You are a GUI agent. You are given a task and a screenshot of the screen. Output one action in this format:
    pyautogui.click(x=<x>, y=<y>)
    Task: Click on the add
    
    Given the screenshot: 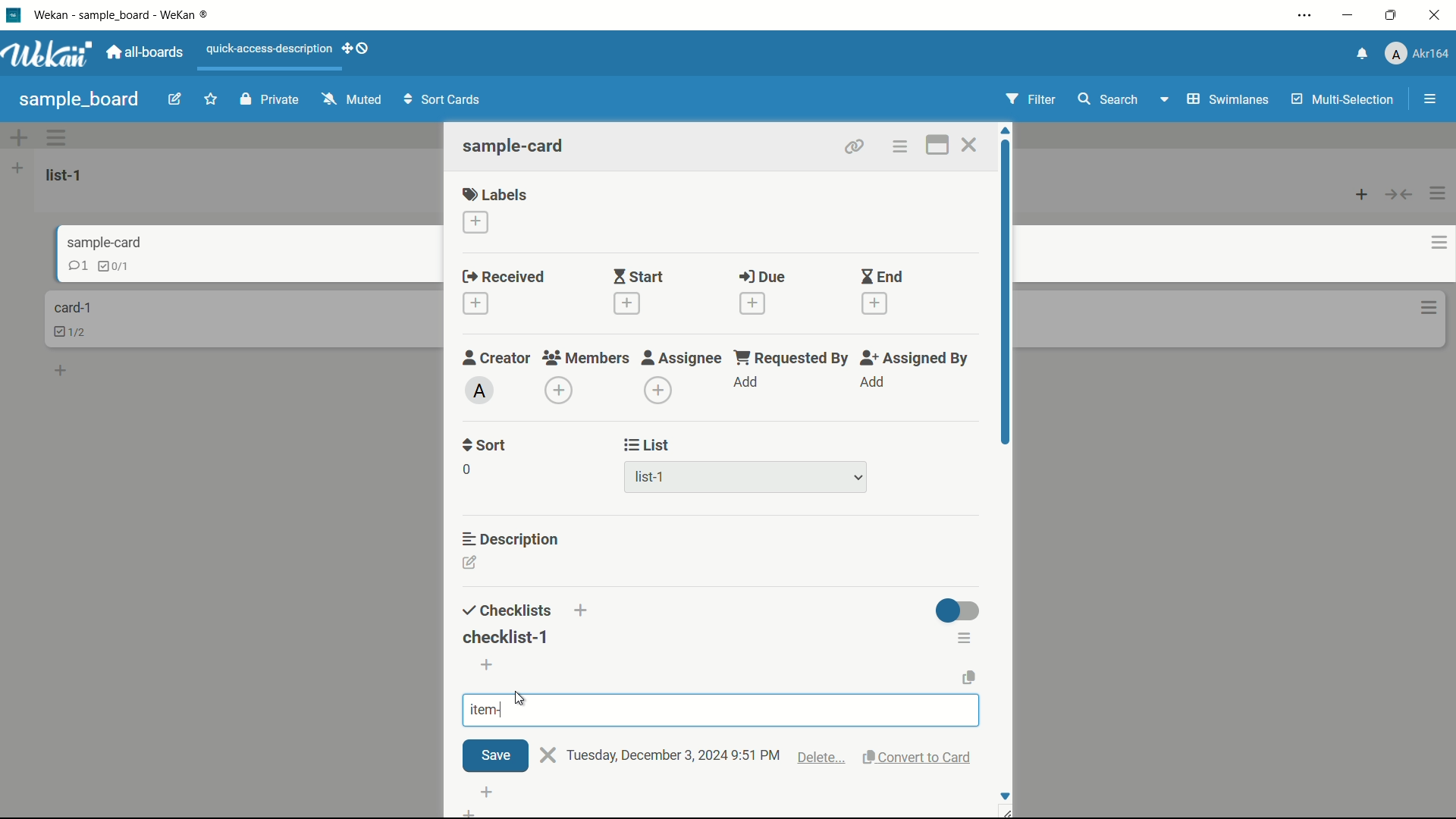 What is the action you would take?
    pyautogui.click(x=747, y=381)
    